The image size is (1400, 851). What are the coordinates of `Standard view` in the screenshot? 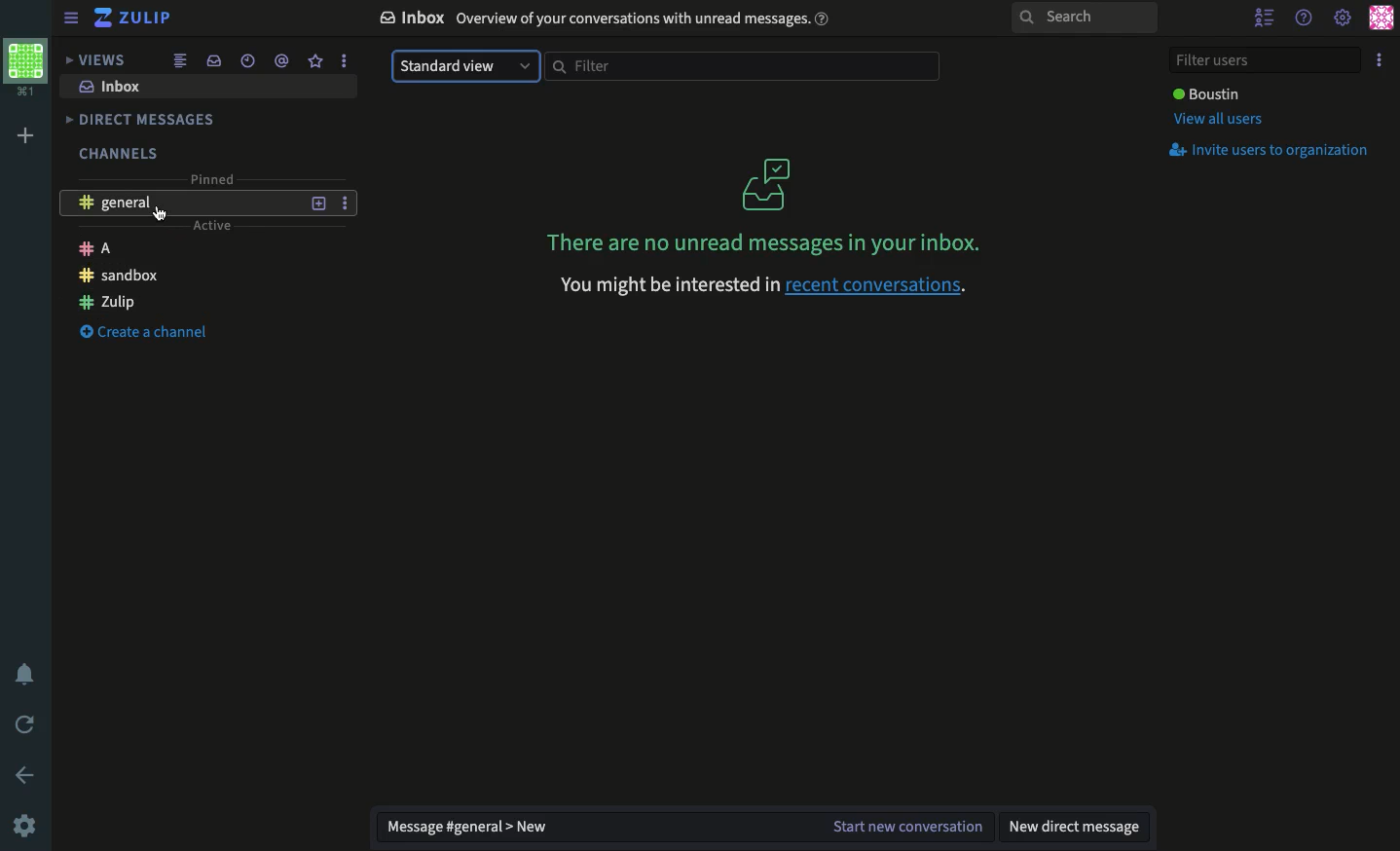 It's located at (465, 66).